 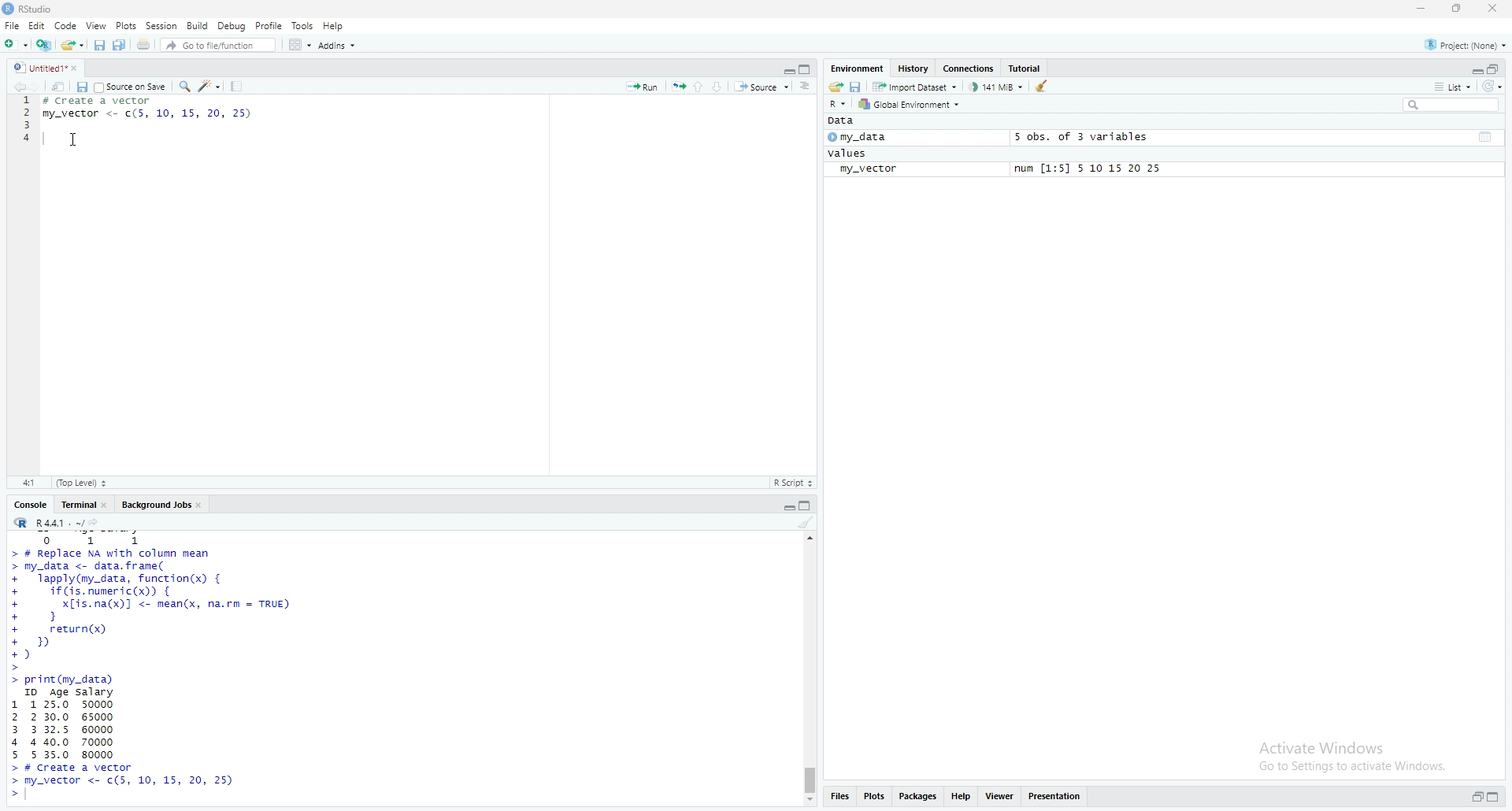 I want to click on R.4.4.1, so click(x=45, y=522).